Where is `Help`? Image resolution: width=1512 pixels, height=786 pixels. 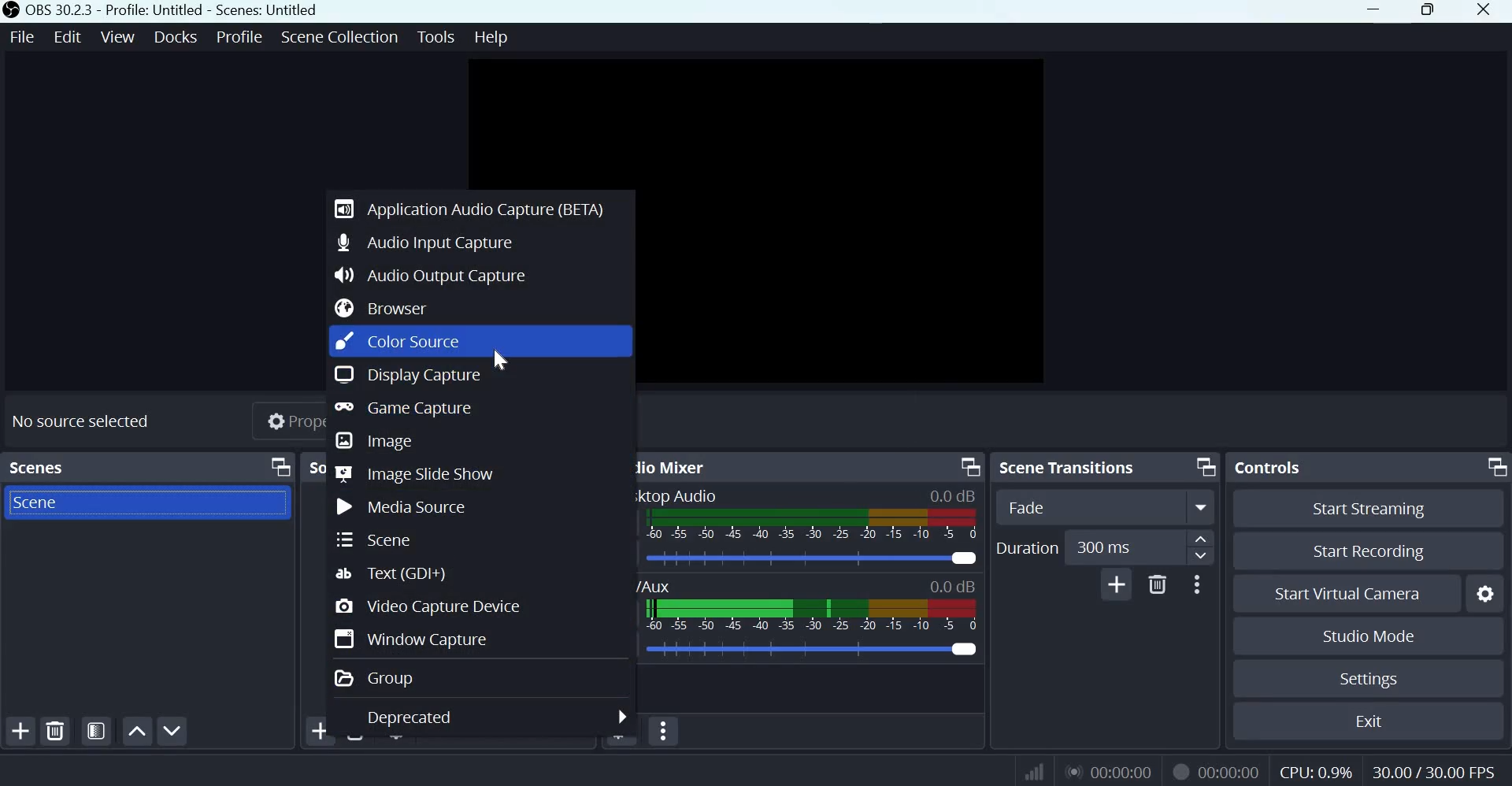 Help is located at coordinates (495, 38).